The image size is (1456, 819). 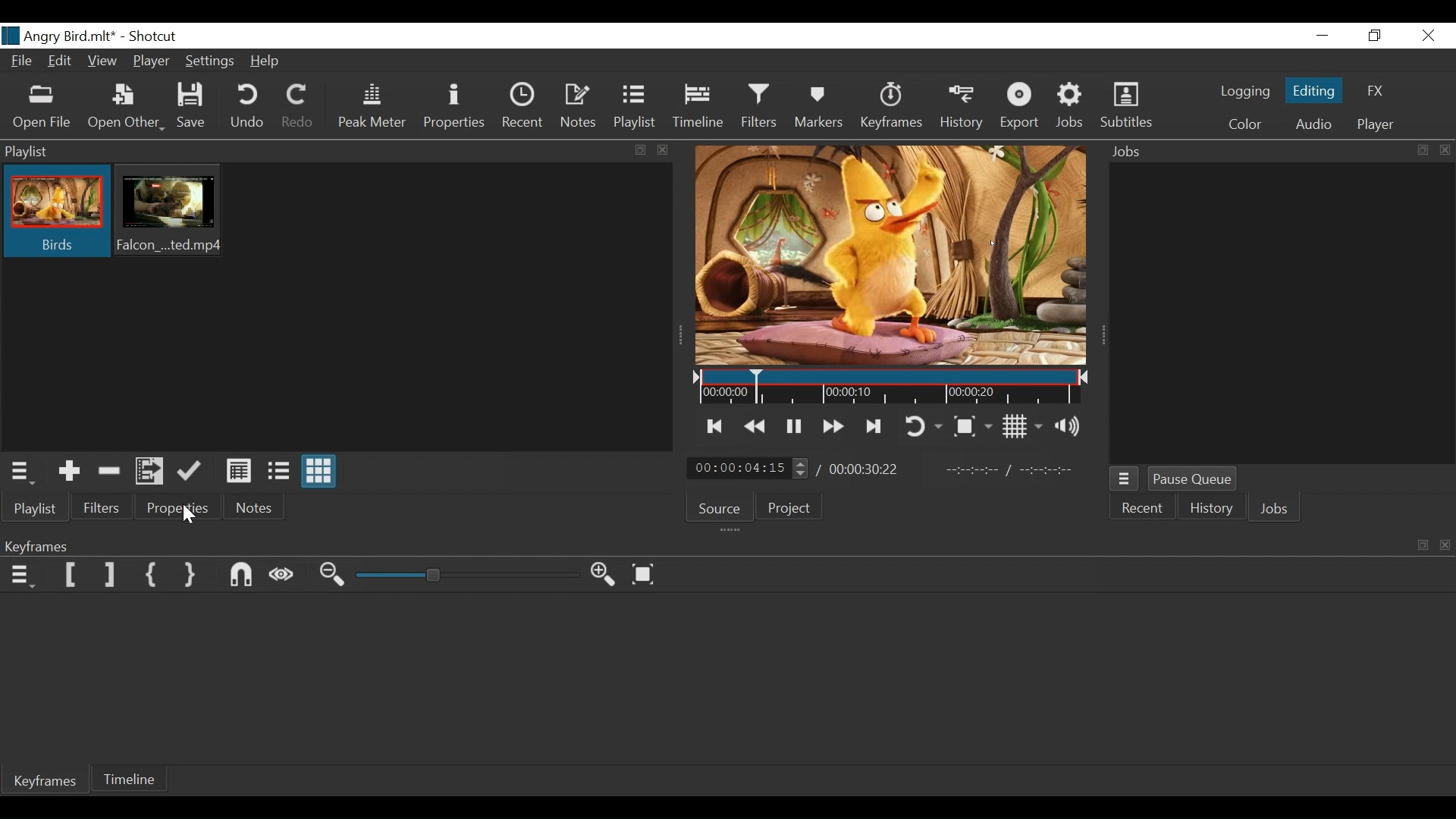 I want to click on Set Filter First, so click(x=70, y=576).